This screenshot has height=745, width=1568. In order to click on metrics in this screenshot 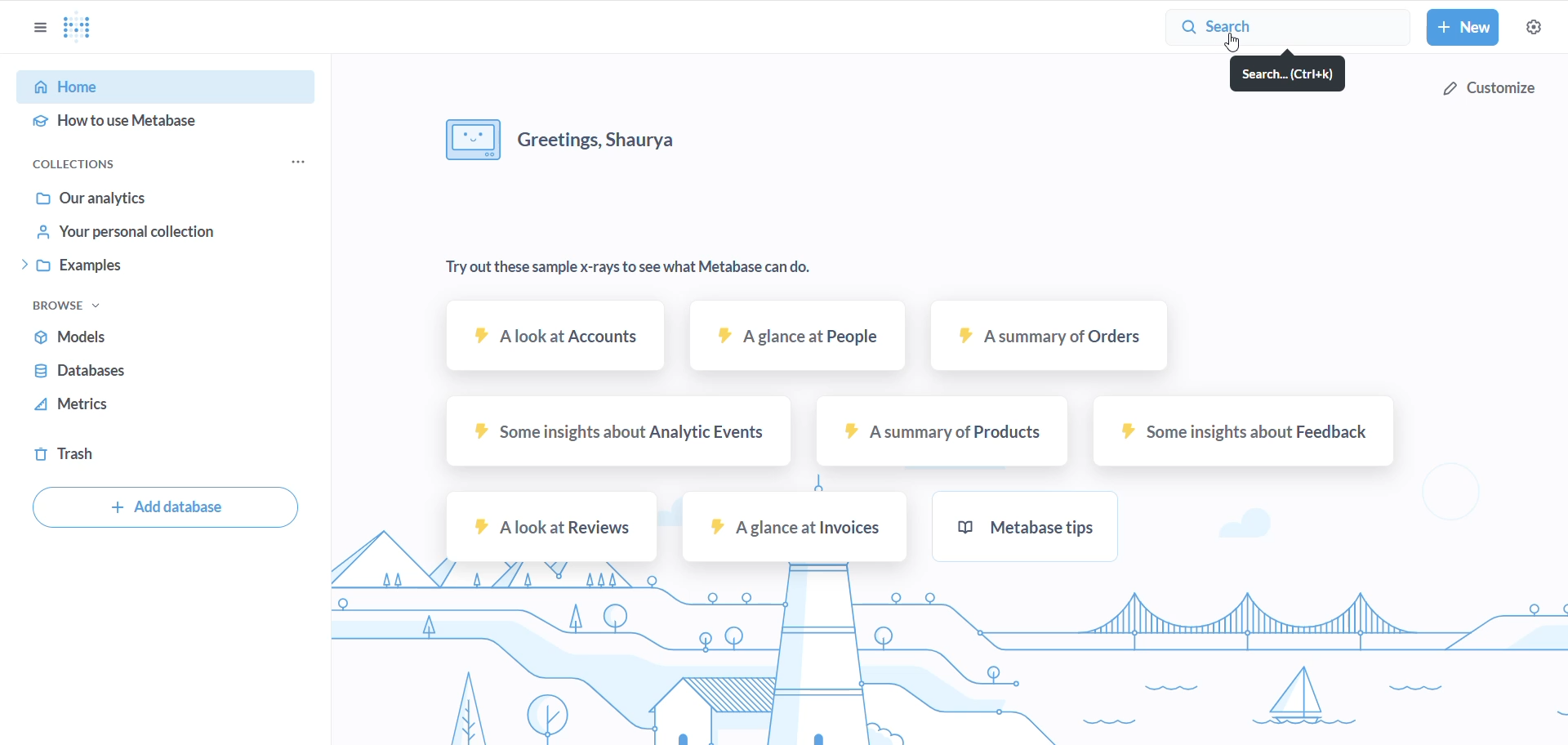, I will do `click(101, 406)`.